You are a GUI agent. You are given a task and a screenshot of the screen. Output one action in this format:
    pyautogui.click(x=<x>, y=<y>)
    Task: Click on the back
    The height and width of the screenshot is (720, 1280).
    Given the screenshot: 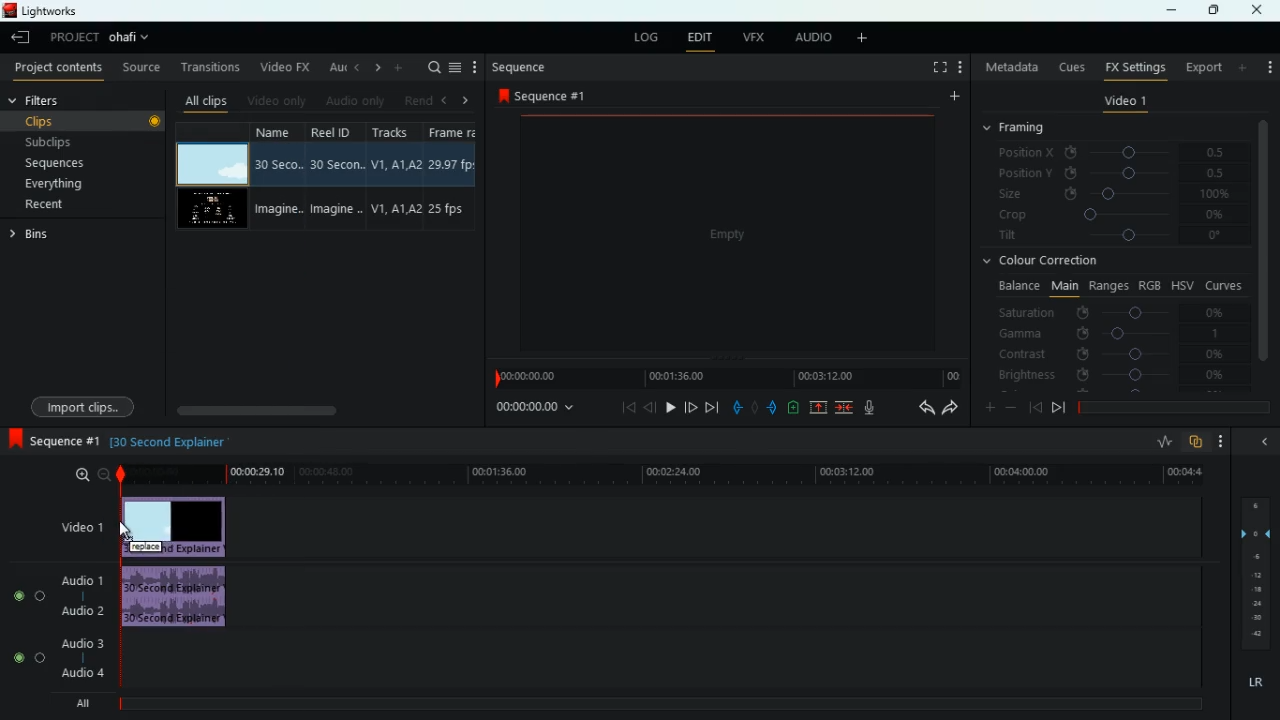 What is the action you would take?
    pyautogui.click(x=919, y=408)
    